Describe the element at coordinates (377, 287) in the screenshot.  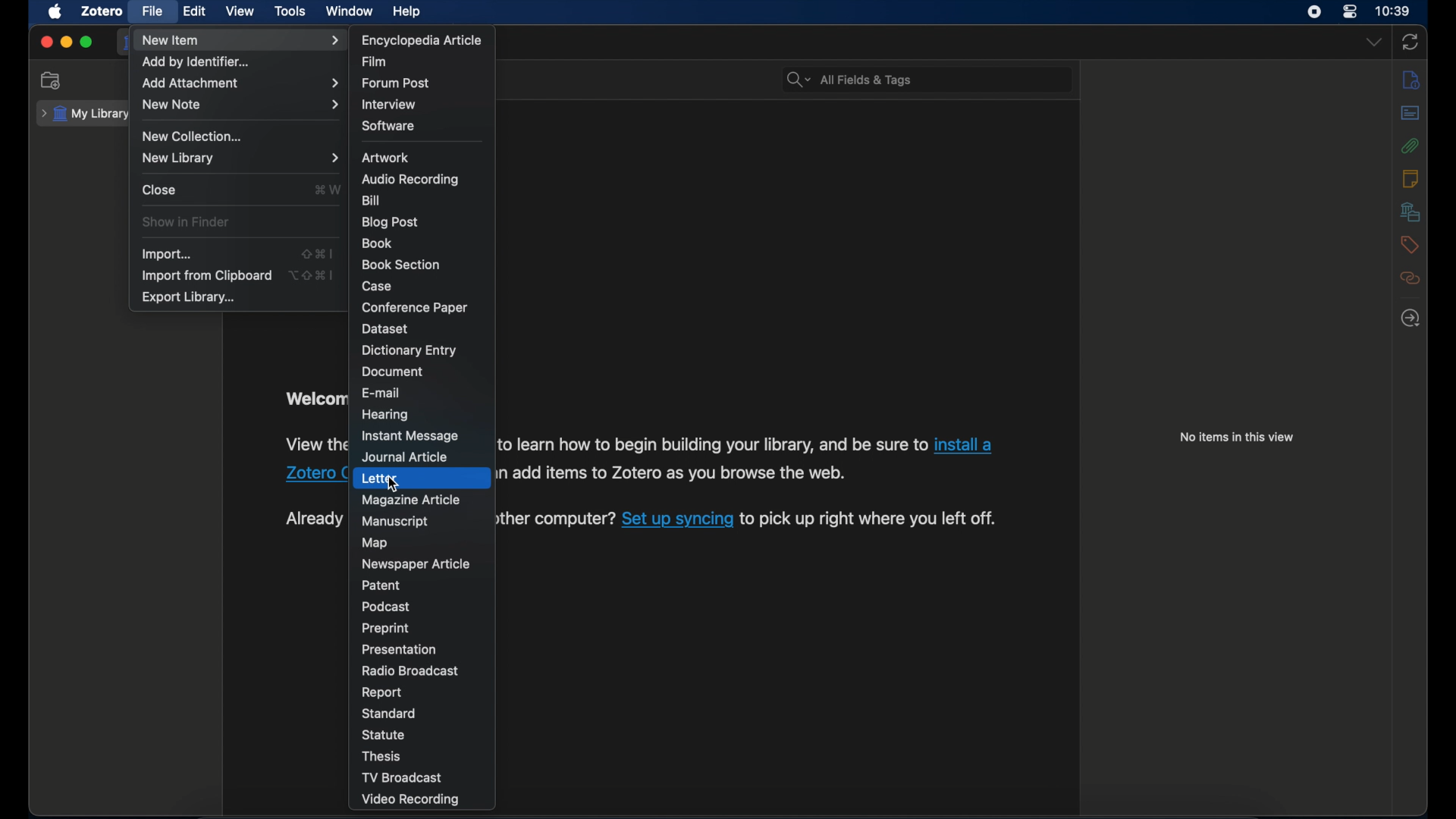
I see `case` at that location.